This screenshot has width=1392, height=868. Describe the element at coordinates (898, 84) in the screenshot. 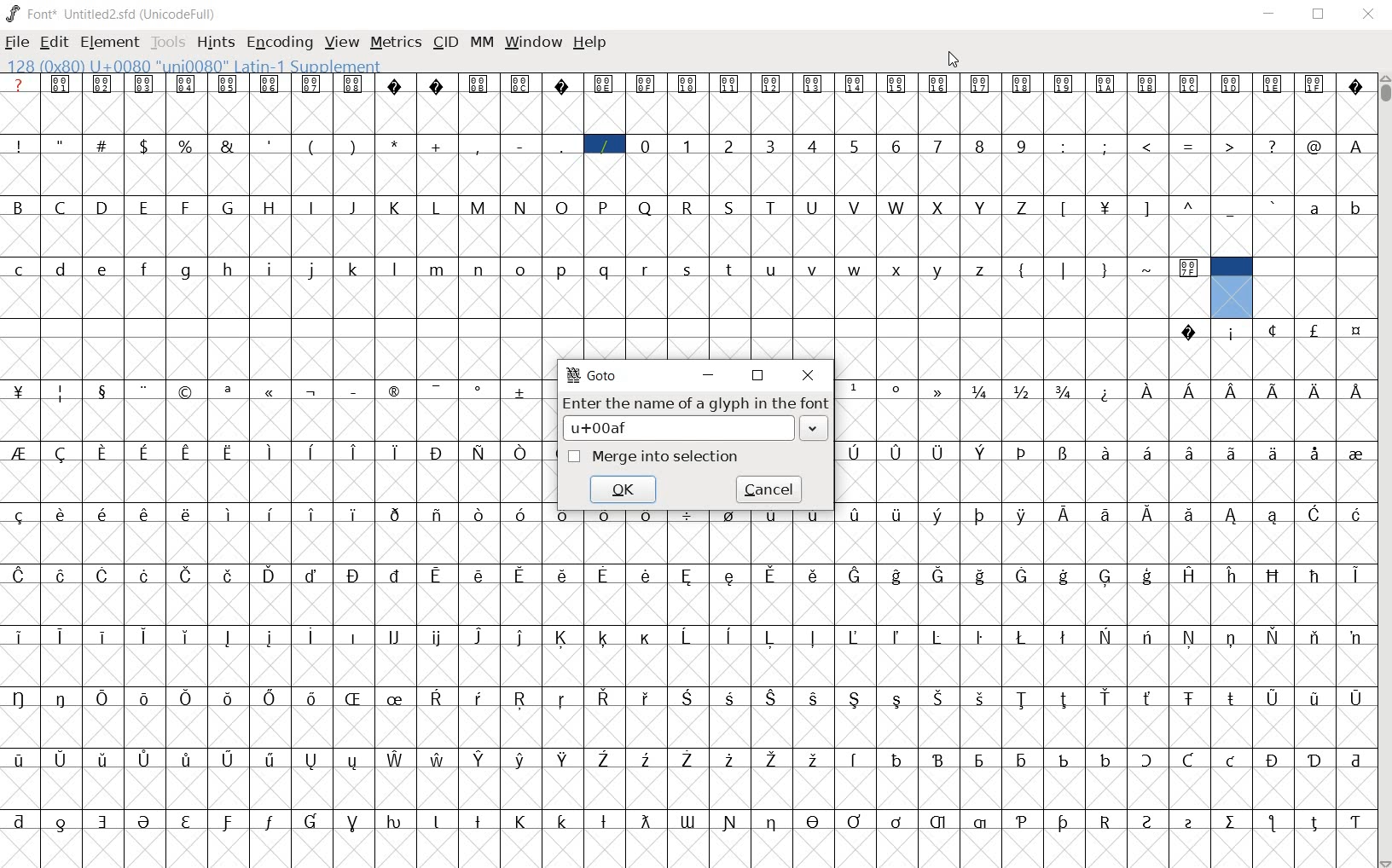

I see `Symbol` at that location.